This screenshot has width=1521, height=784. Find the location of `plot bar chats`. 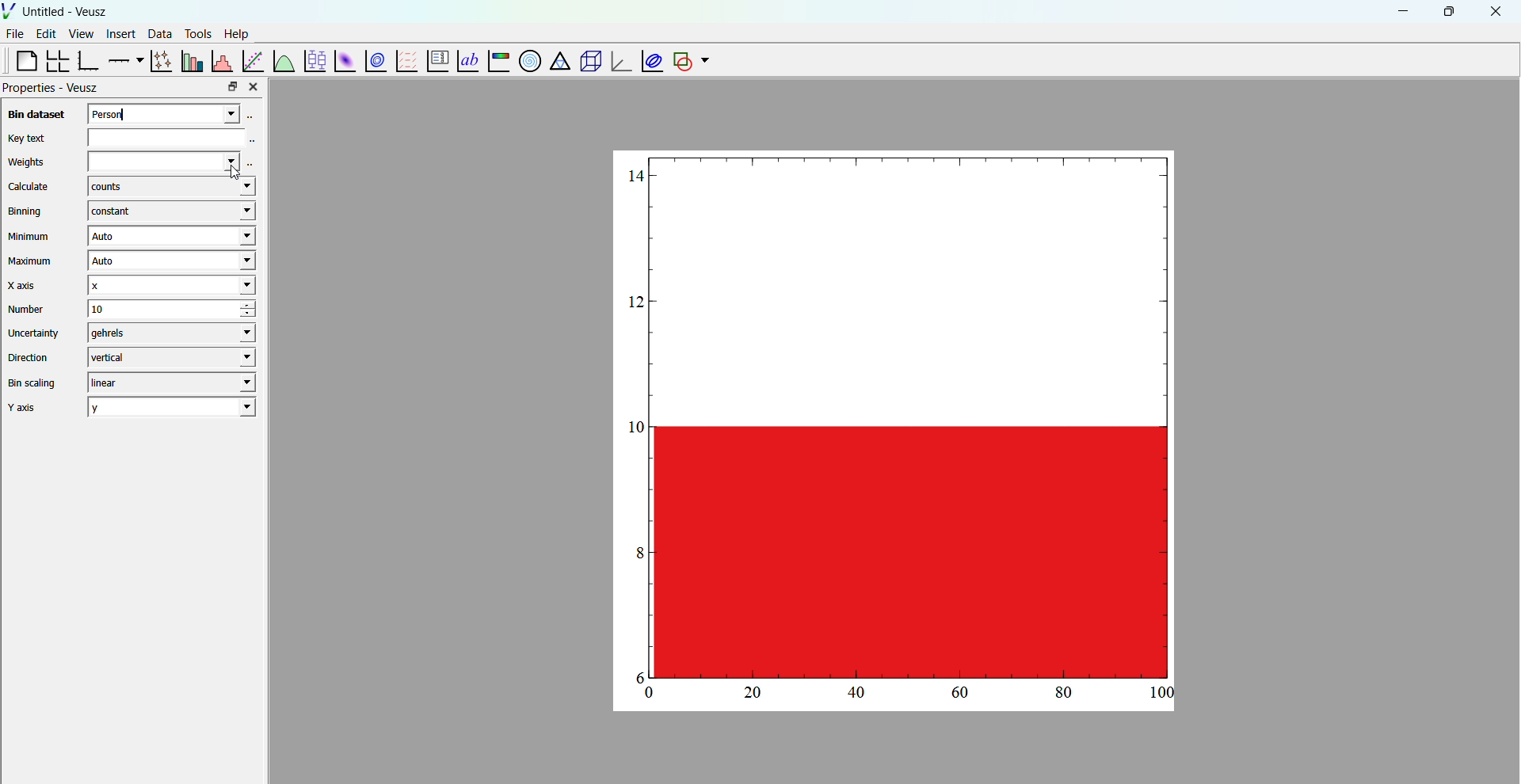

plot bar chats is located at coordinates (190, 61).